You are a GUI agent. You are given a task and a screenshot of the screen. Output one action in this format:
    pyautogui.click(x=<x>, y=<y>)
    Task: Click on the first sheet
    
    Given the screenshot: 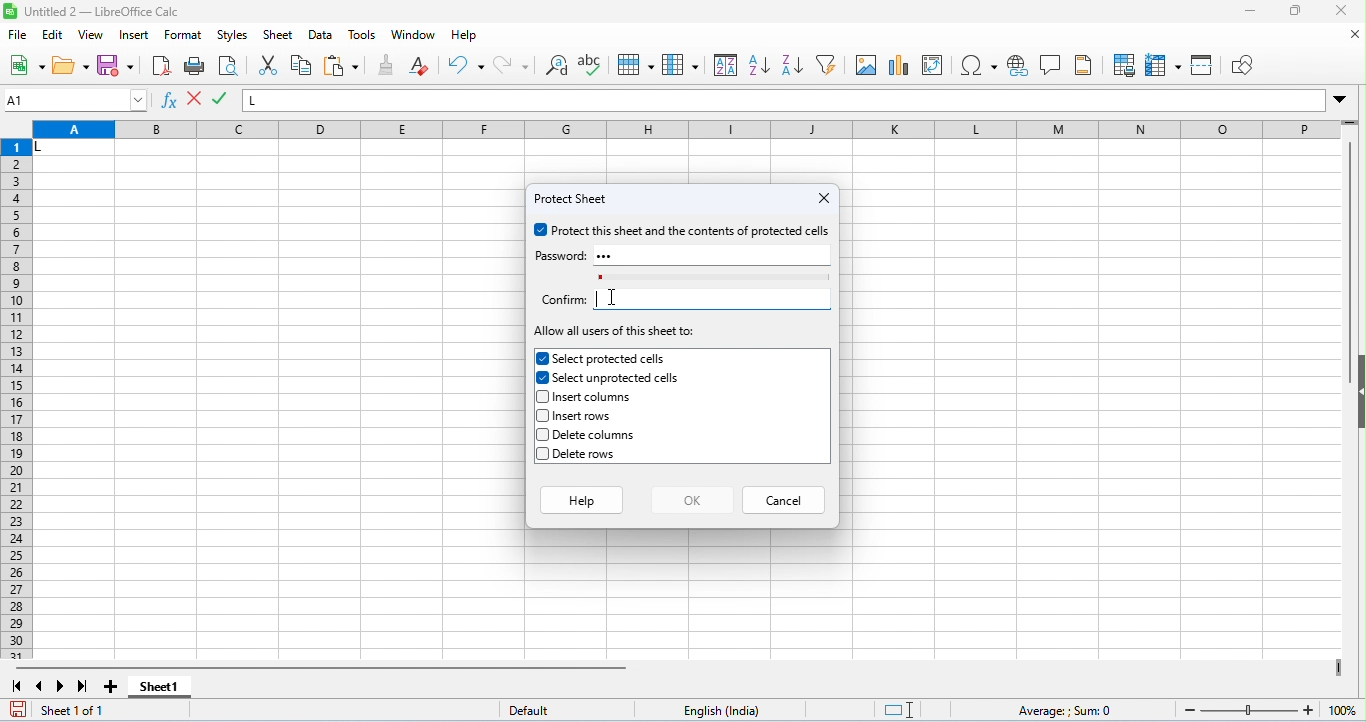 What is the action you would take?
    pyautogui.click(x=17, y=686)
    